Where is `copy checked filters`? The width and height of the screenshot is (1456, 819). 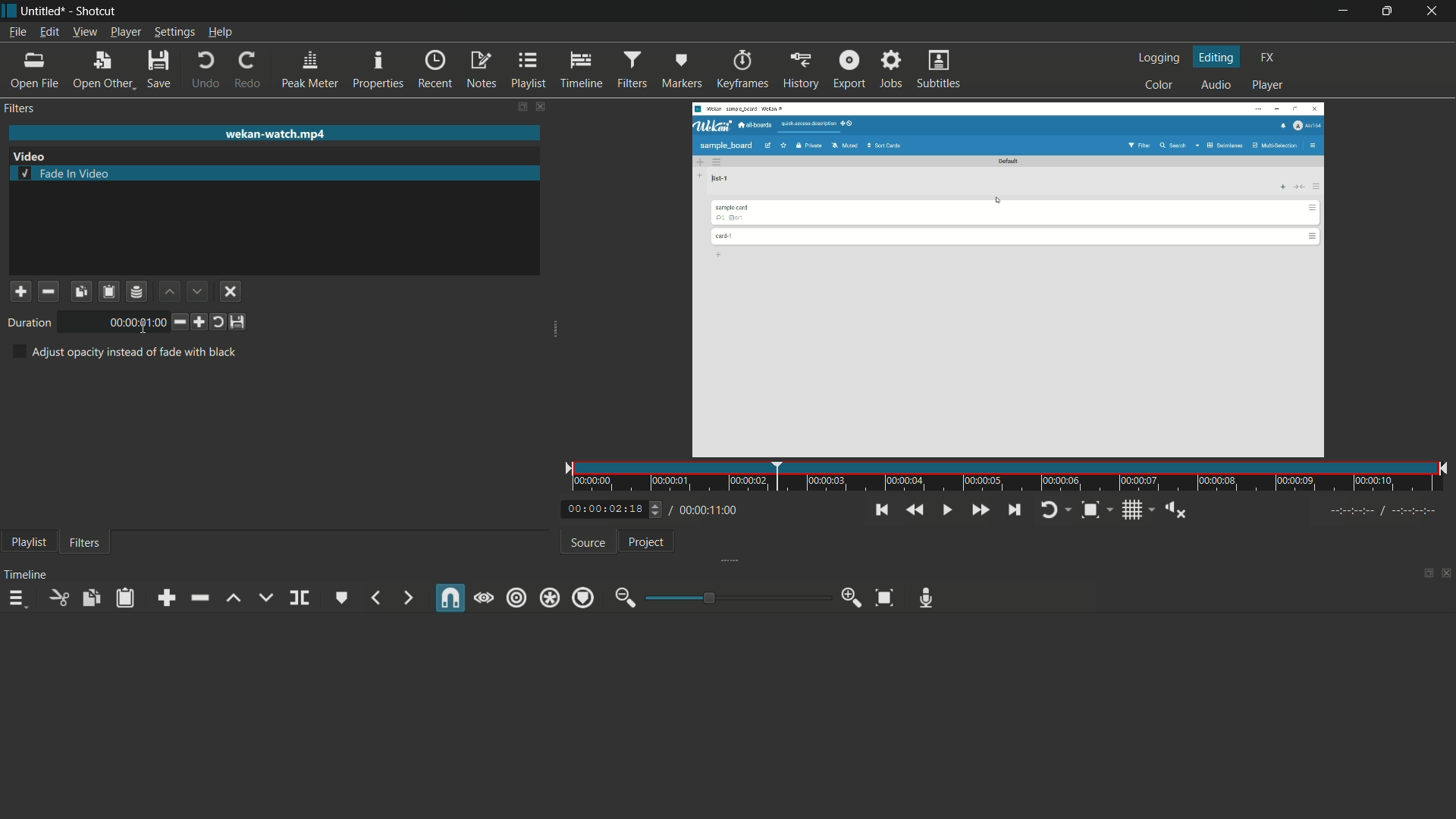 copy checked filters is located at coordinates (90, 598).